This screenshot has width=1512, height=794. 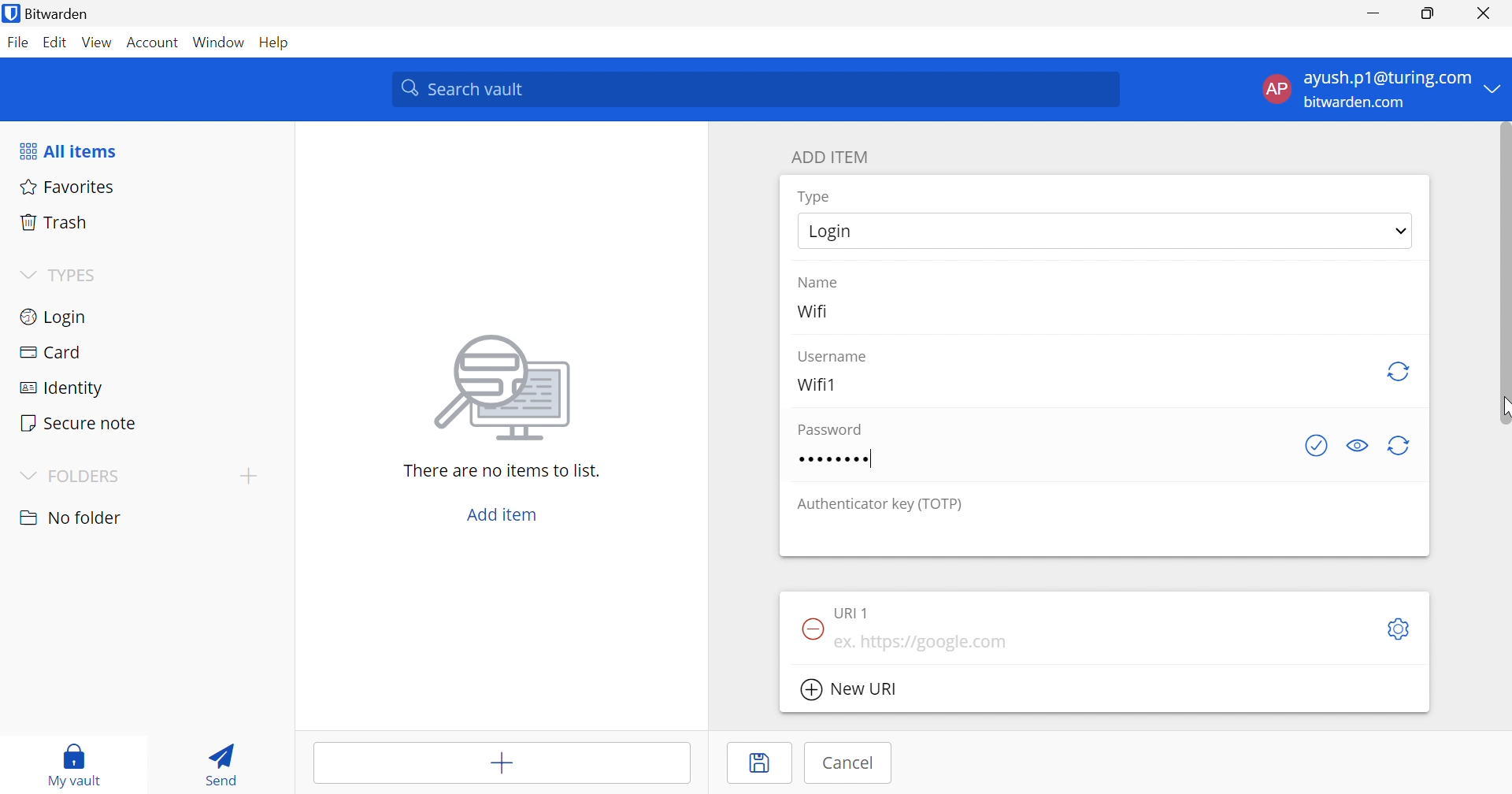 What do you see at coordinates (48, 13) in the screenshot?
I see `Bitwarden` at bounding box center [48, 13].